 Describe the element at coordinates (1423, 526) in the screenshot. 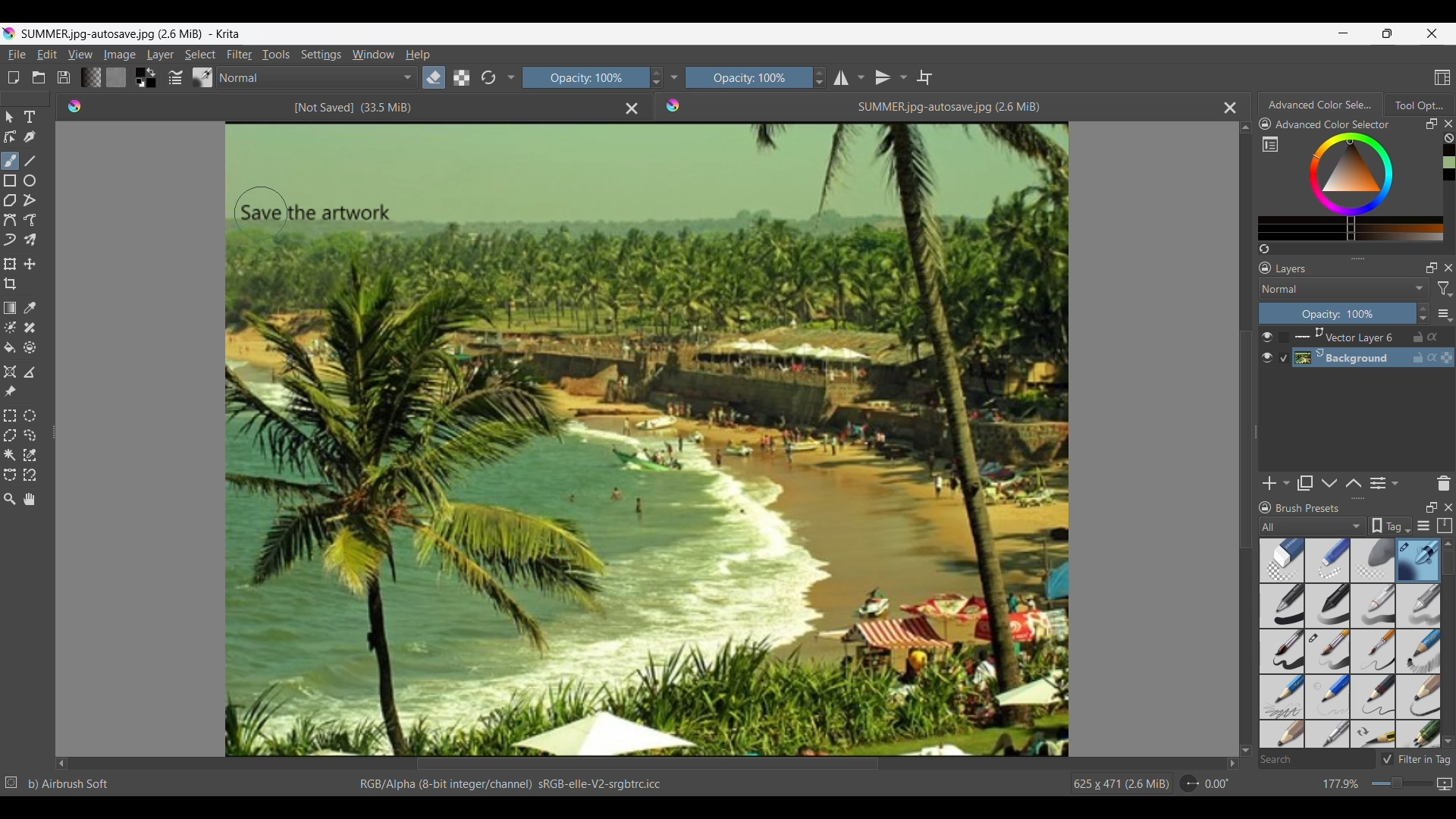

I see `Display settings` at that location.